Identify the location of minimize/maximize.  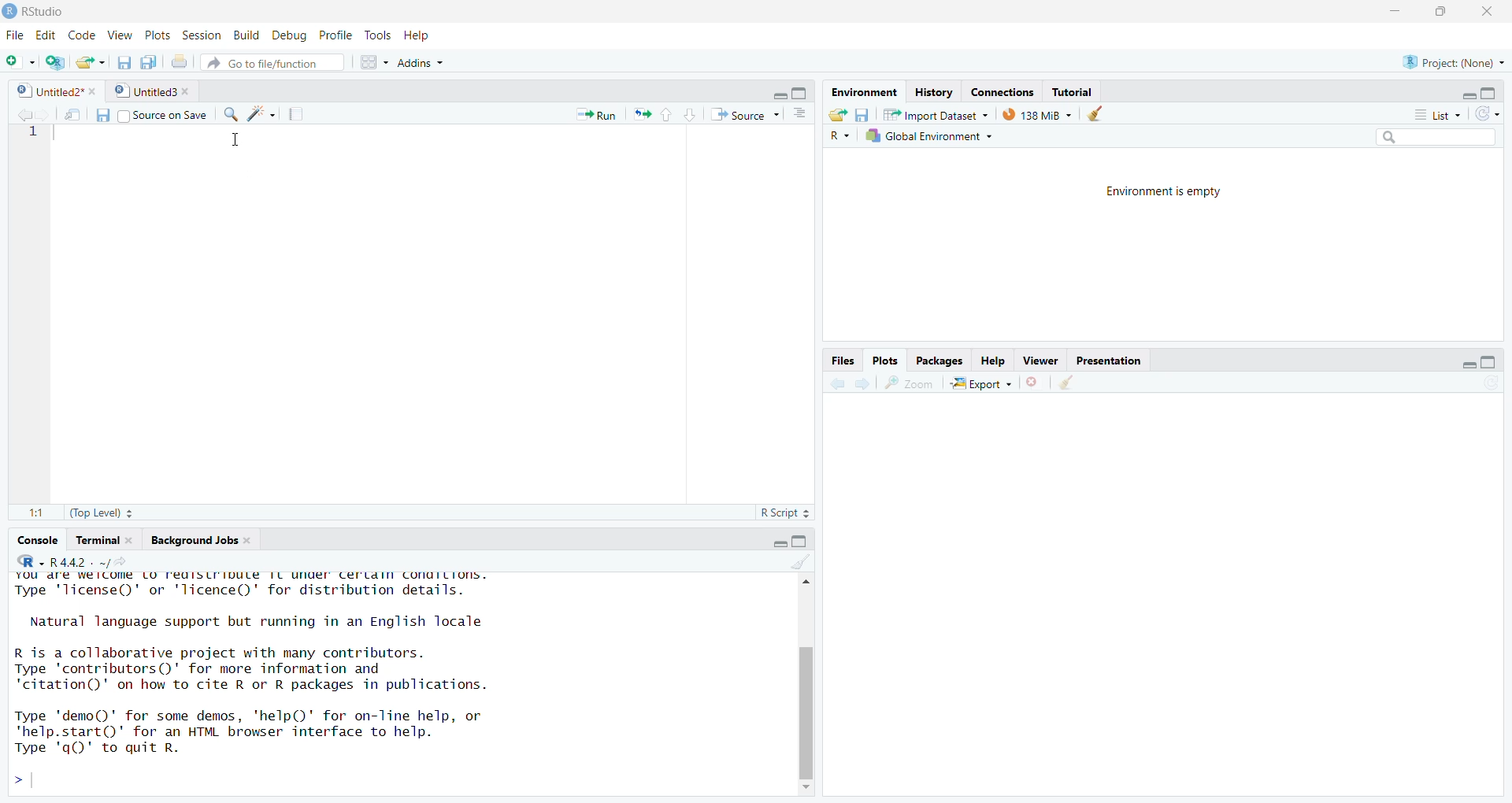
(791, 89).